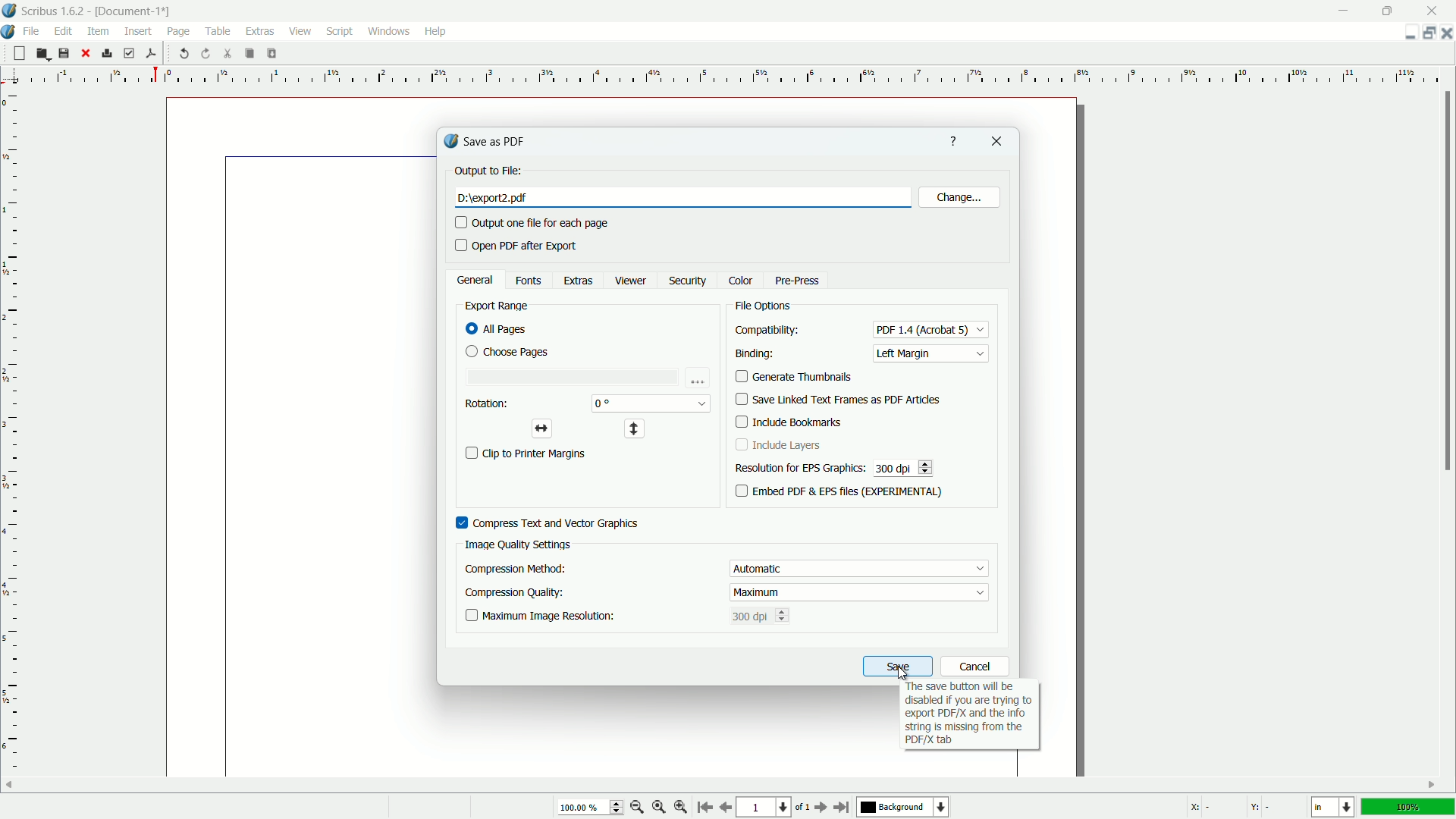 The image size is (1456, 819). What do you see at coordinates (179, 32) in the screenshot?
I see `page menu` at bounding box center [179, 32].